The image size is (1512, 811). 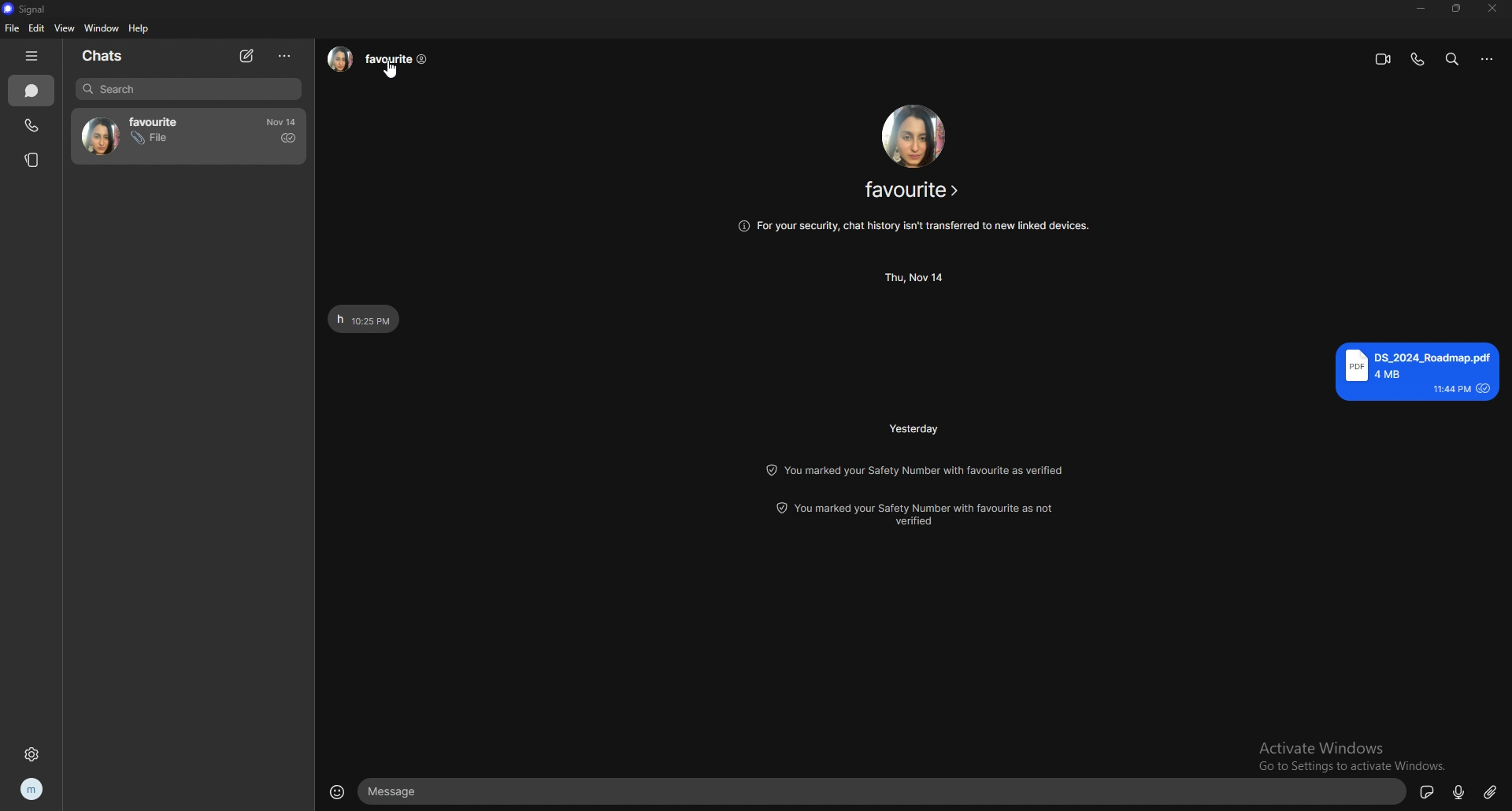 What do you see at coordinates (113, 55) in the screenshot?
I see `chats` at bounding box center [113, 55].